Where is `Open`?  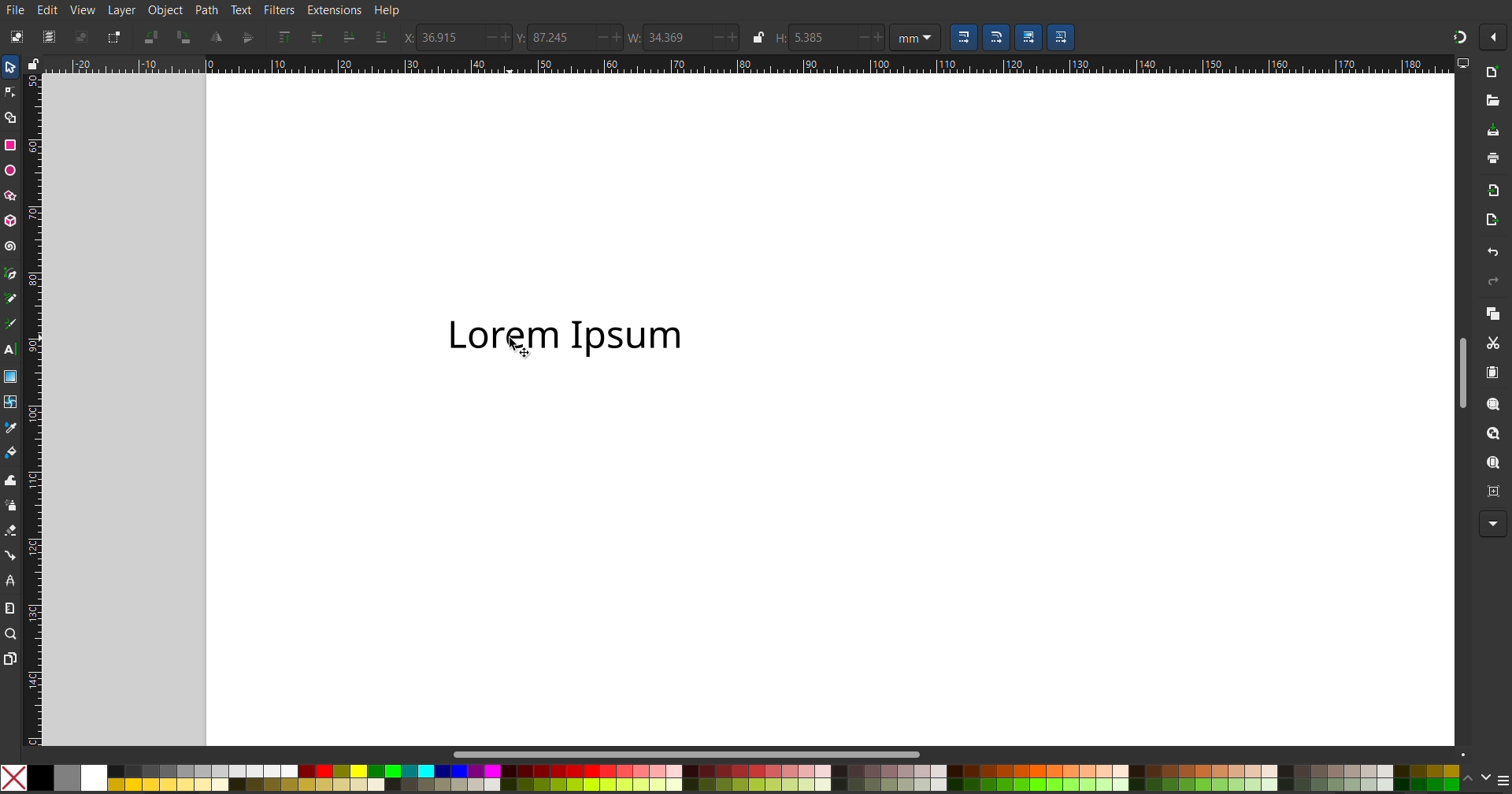 Open is located at coordinates (1493, 100).